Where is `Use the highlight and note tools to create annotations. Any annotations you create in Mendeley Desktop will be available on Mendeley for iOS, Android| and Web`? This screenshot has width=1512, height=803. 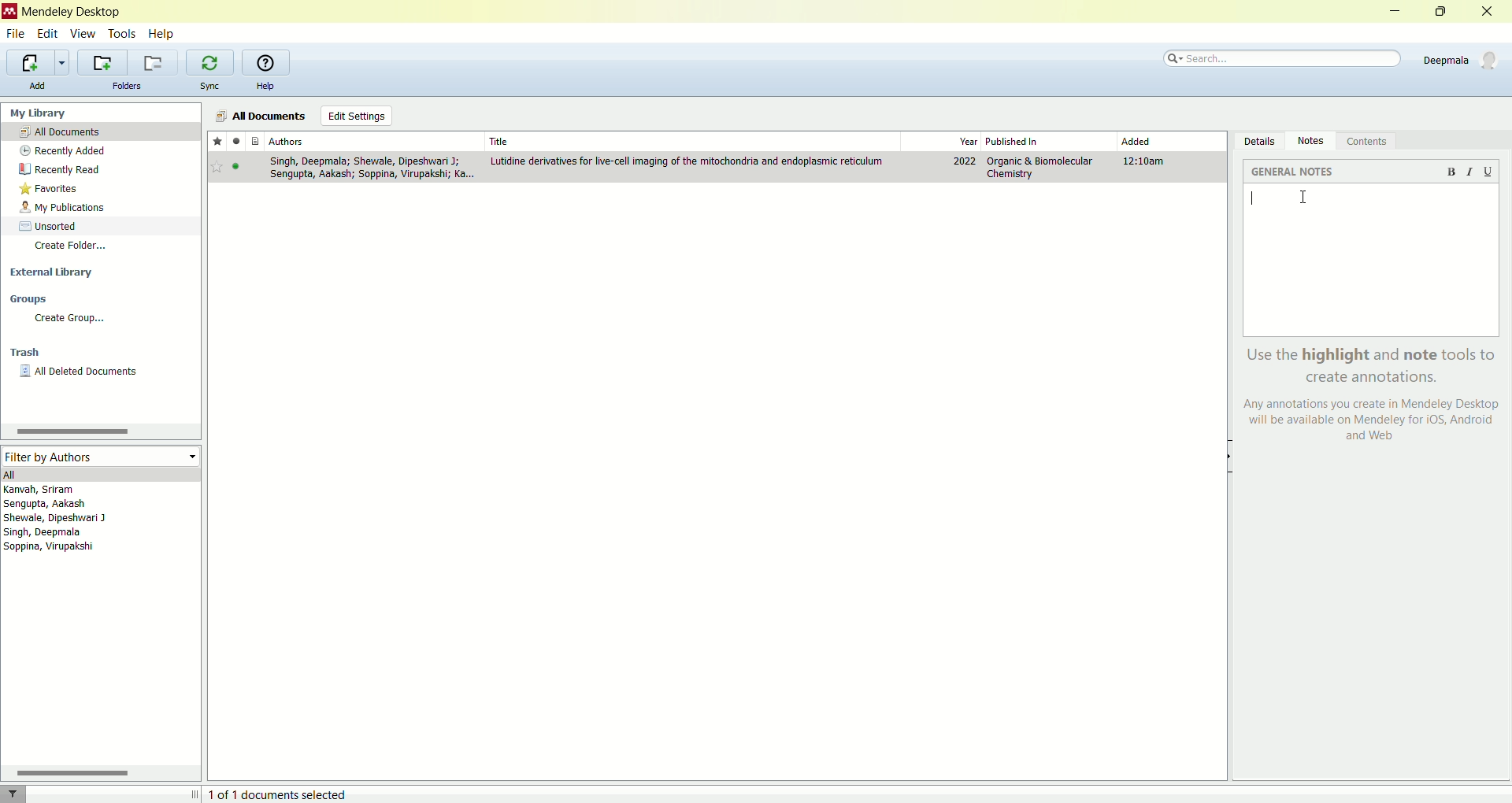
Use the highlight and note tools to create annotations. Any annotations you create in Mendeley Desktop will be available on Mendeley for iOS, Android| and Web is located at coordinates (1366, 398).